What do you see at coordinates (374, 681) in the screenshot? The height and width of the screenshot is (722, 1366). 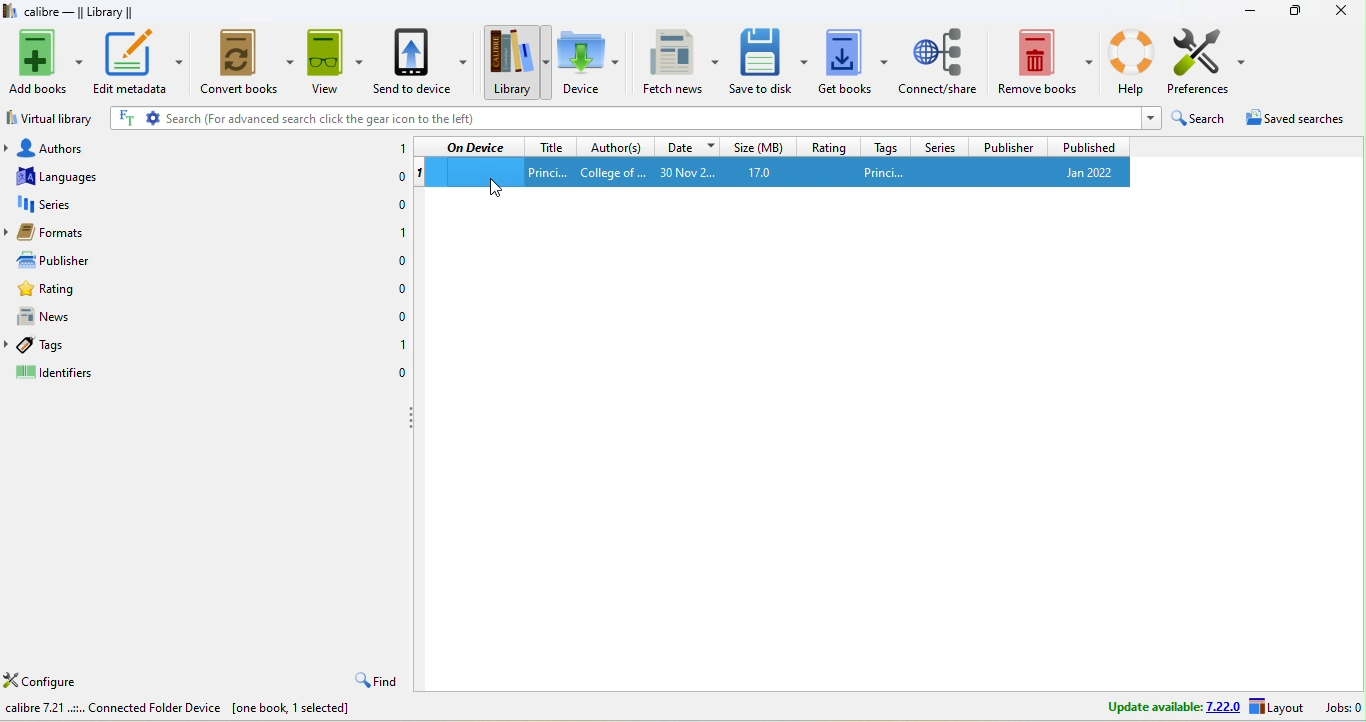 I see `find` at bounding box center [374, 681].